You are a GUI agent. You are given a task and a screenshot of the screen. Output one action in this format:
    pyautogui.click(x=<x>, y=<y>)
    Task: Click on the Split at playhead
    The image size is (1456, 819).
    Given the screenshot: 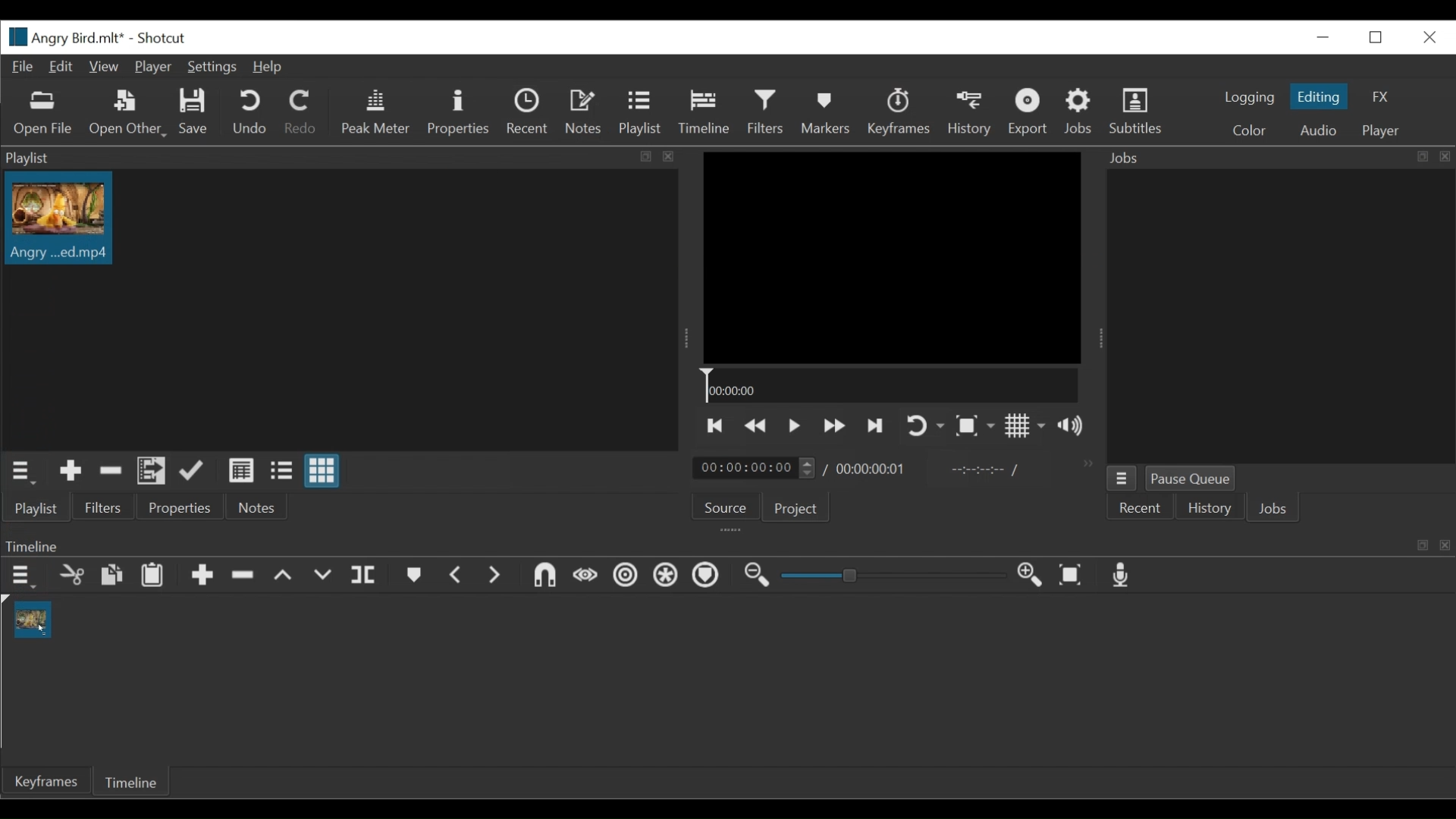 What is the action you would take?
    pyautogui.click(x=368, y=575)
    